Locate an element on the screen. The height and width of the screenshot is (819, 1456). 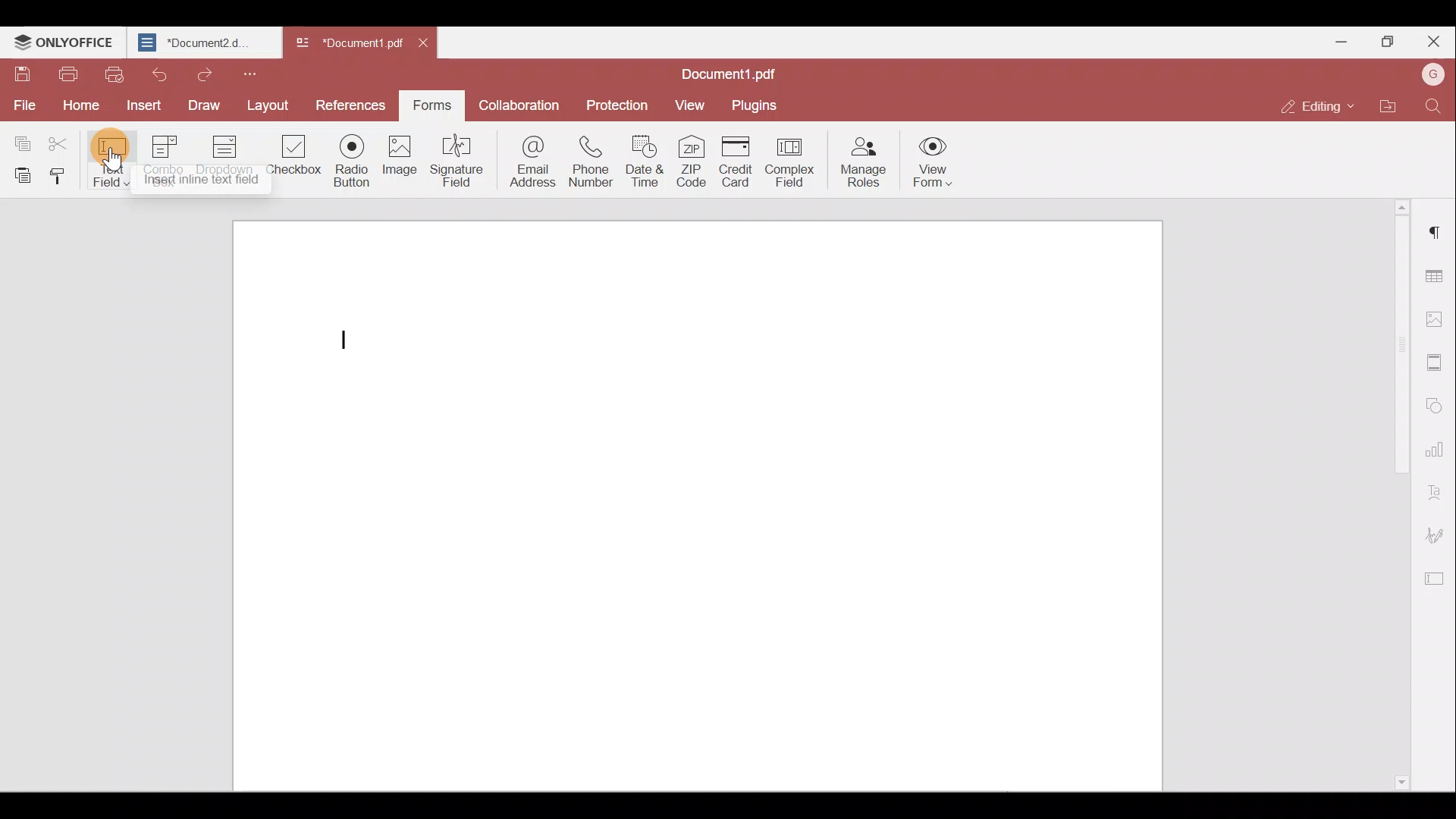
Account name is located at coordinates (1432, 73).